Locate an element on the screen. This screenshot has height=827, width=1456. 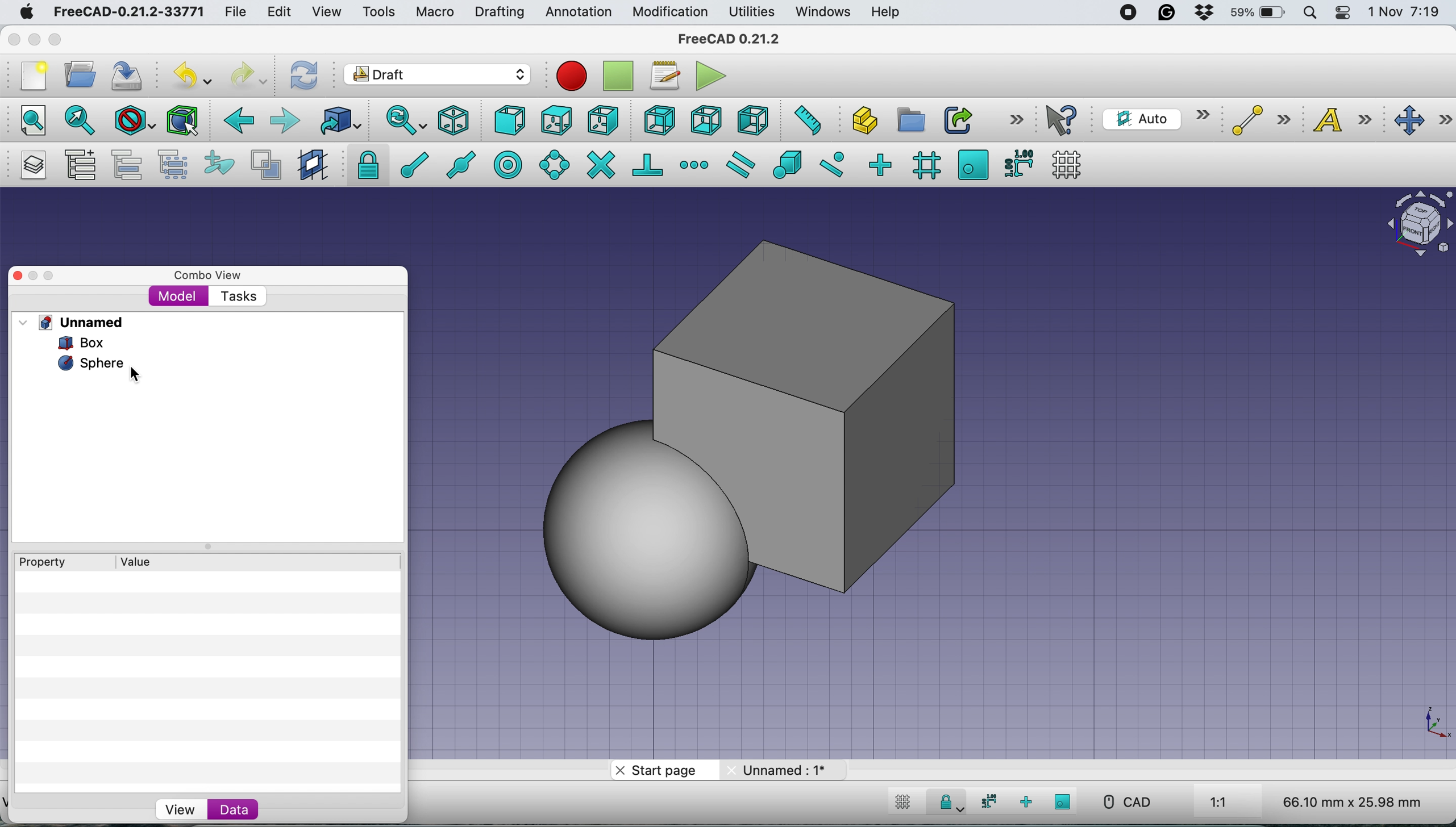
snap special is located at coordinates (787, 164).